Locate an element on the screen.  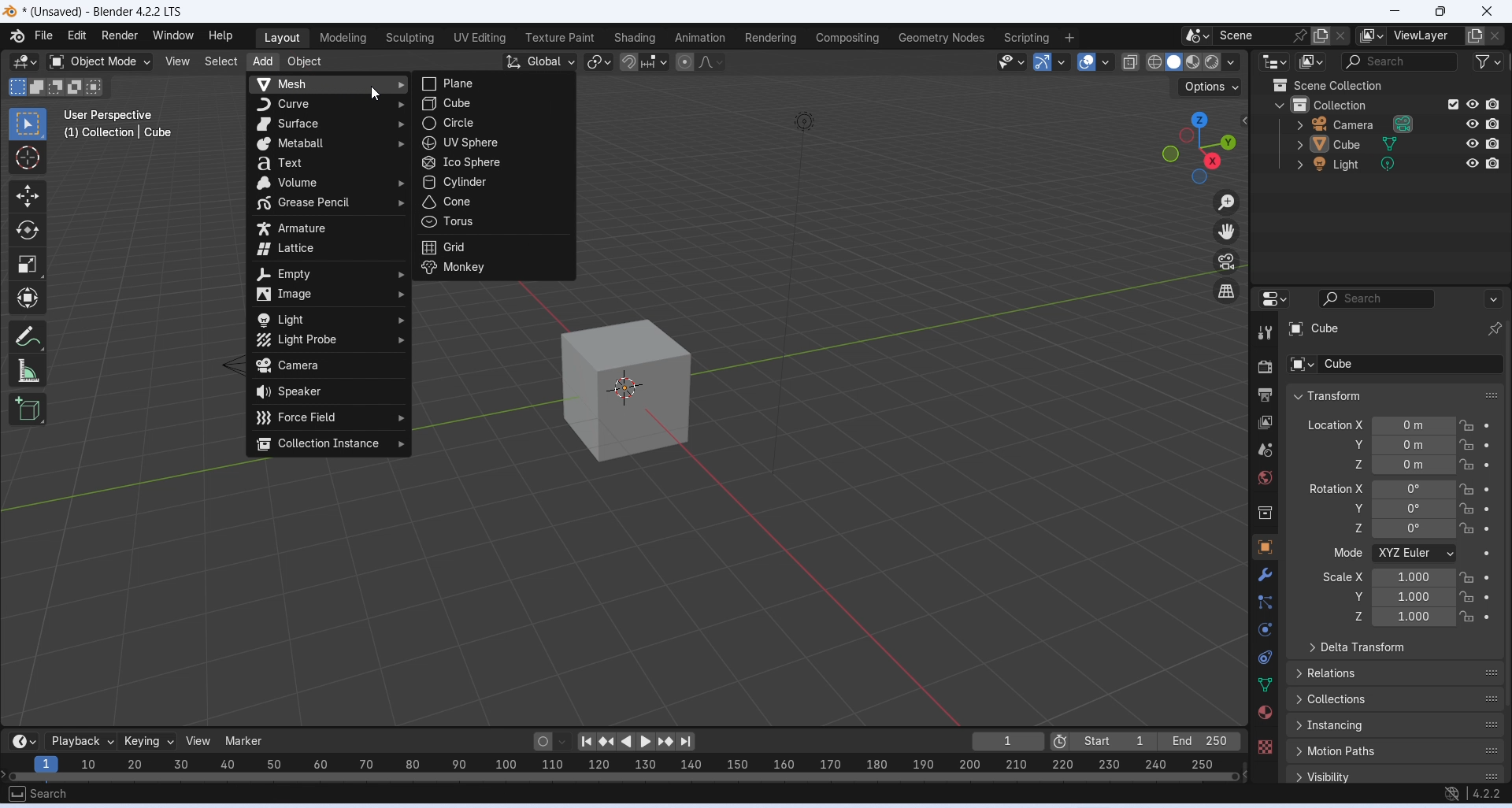
location is located at coordinates (1414, 445).